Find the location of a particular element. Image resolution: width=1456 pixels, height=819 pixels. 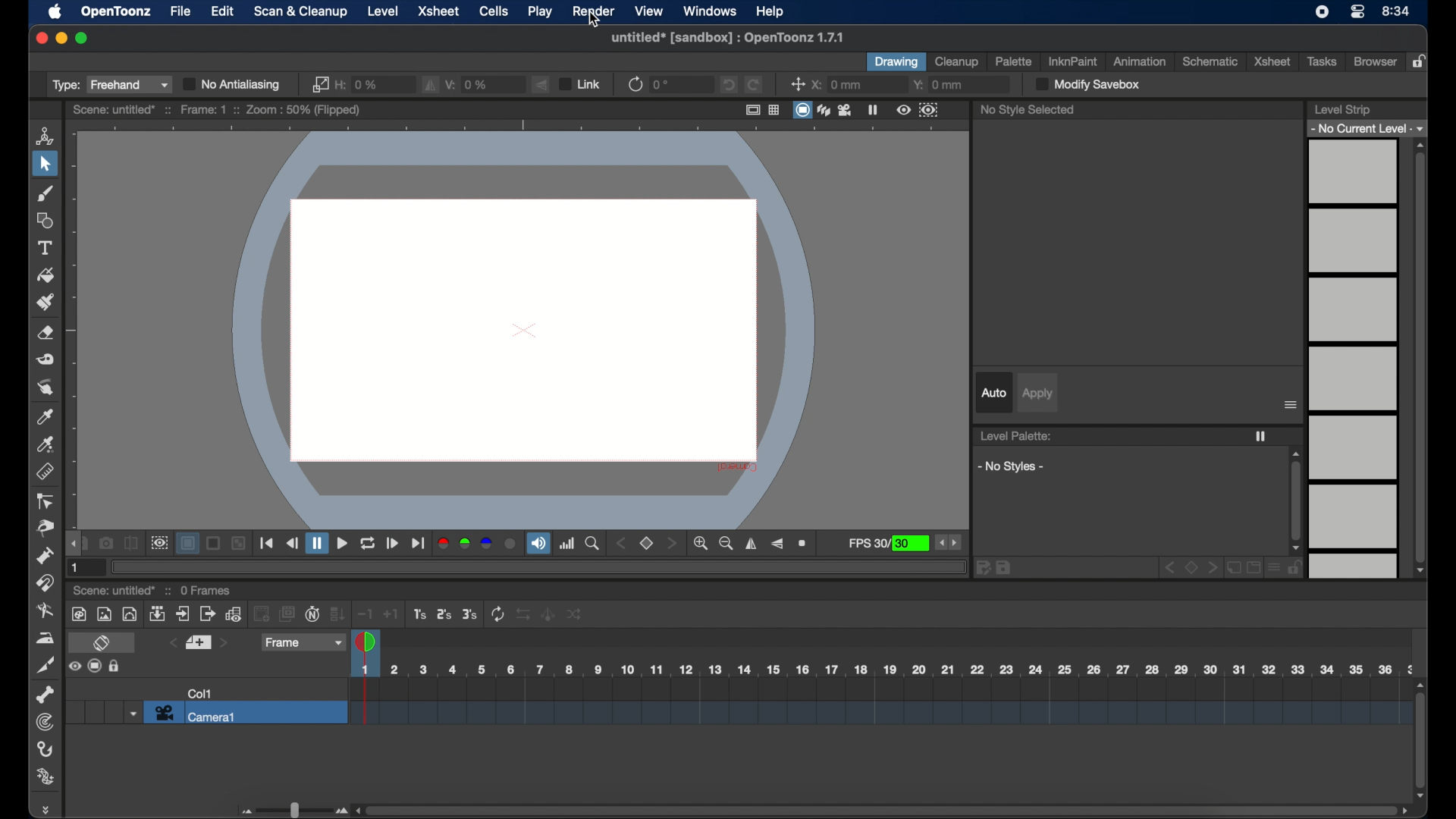

brush tool is located at coordinates (45, 193).